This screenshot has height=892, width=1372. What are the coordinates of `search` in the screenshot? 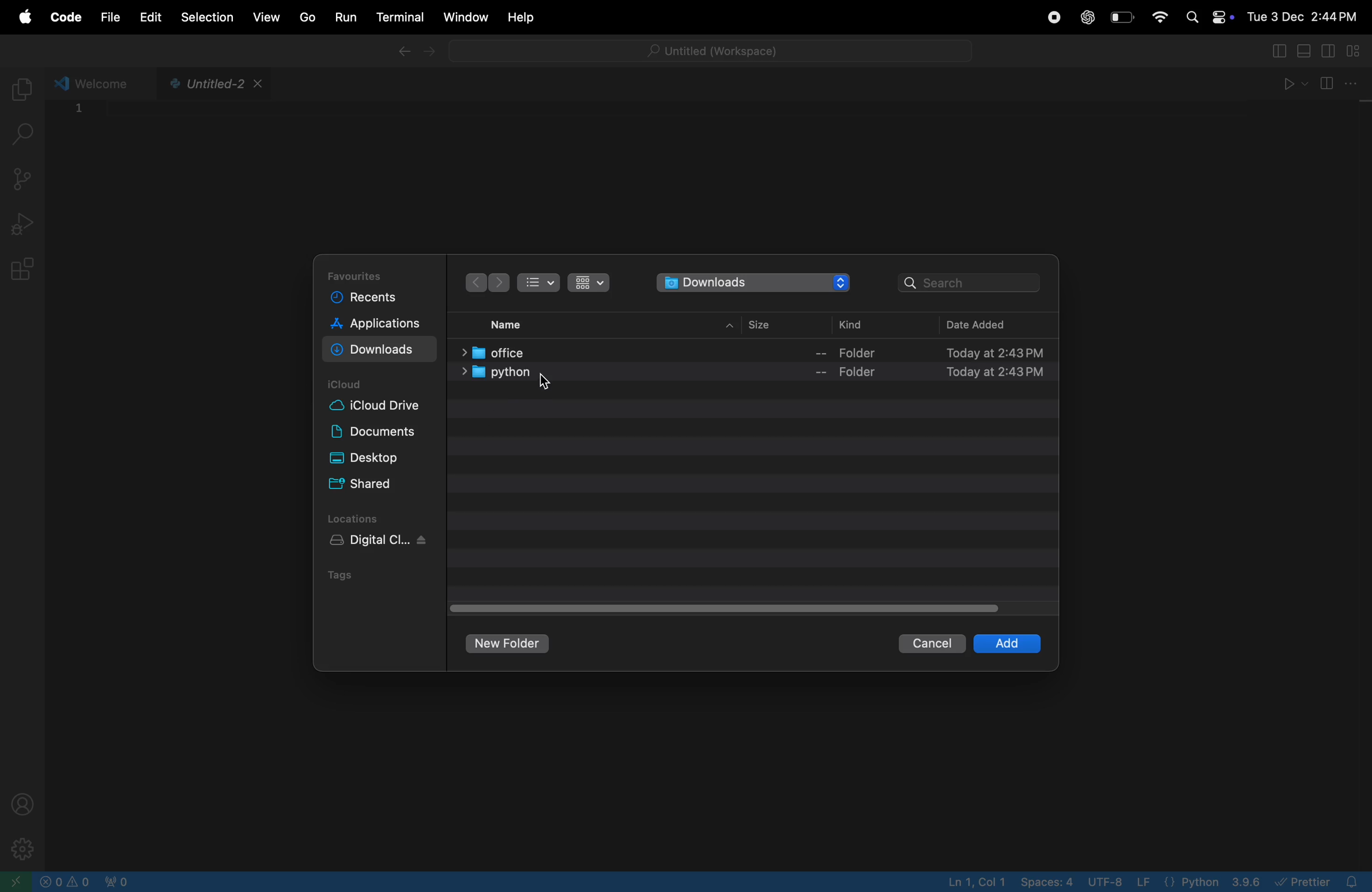 It's located at (24, 138).